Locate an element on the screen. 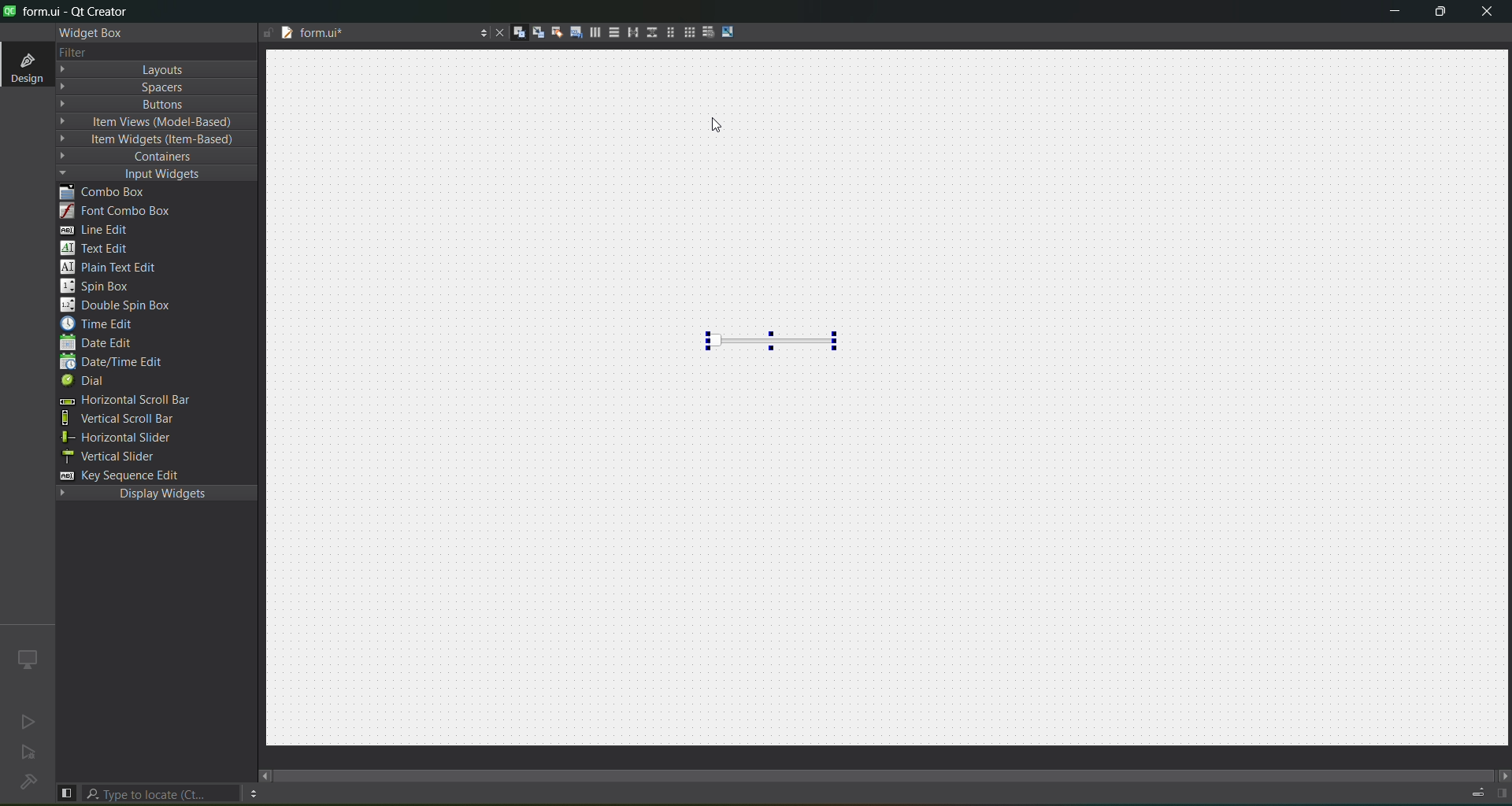 The width and height of the screenshot is (1512, 806). item view is located at coordinates (150, 123).